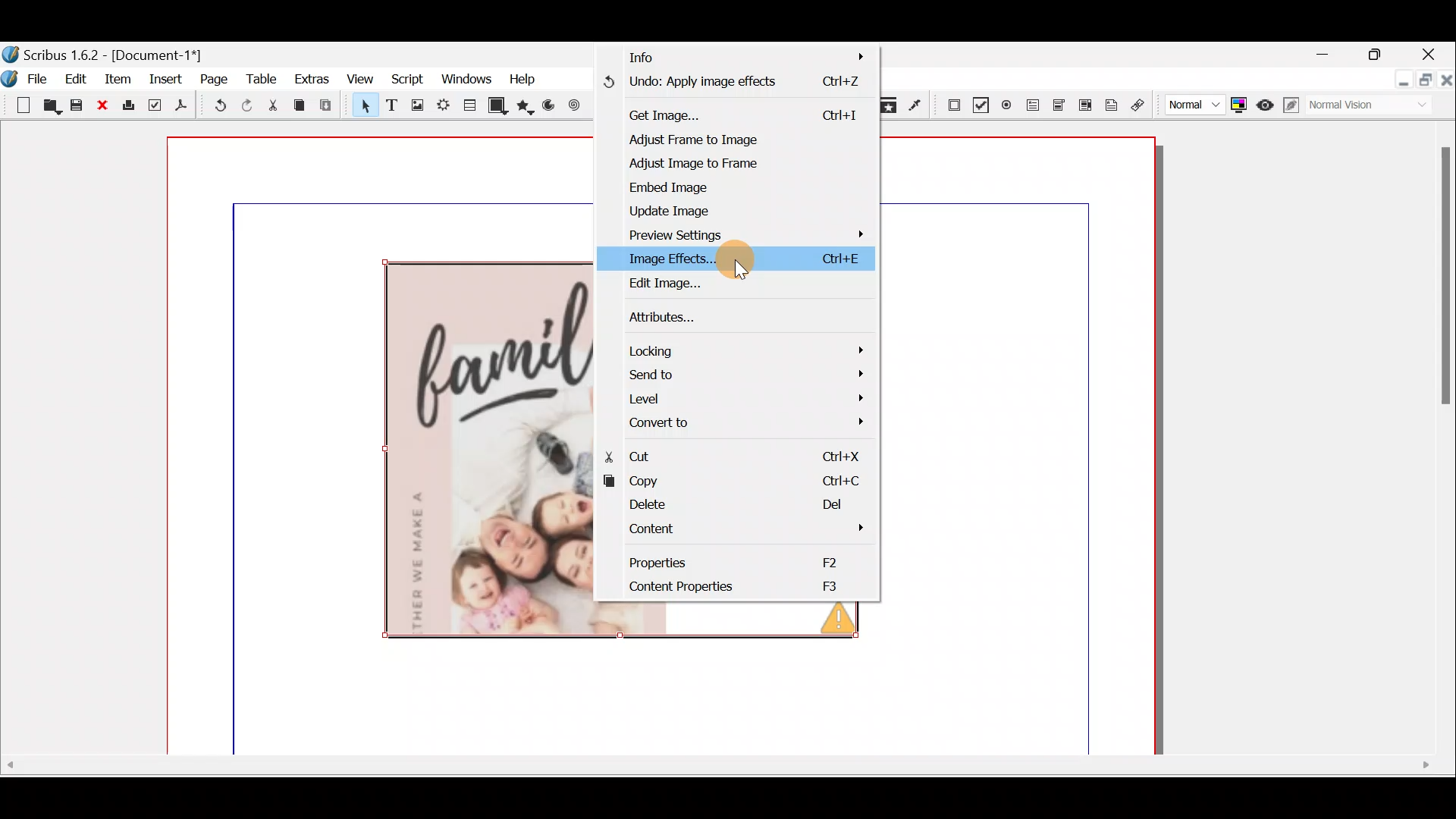 The height and width of the screenshot is (819, 1456). What do you see at coordinates (1084, 108) in the screenshot?
I see `PDF list box` at bounding box center [1084, 108].